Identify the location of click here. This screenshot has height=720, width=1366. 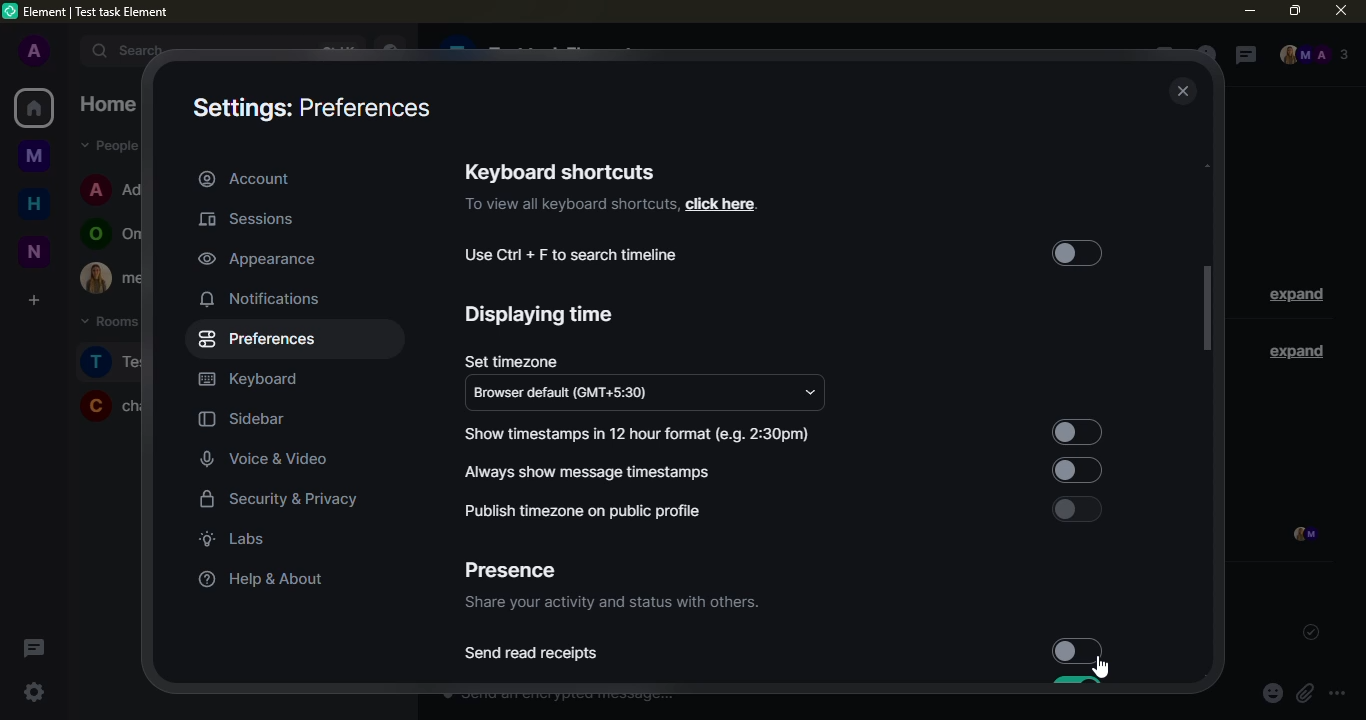
(720, 204).